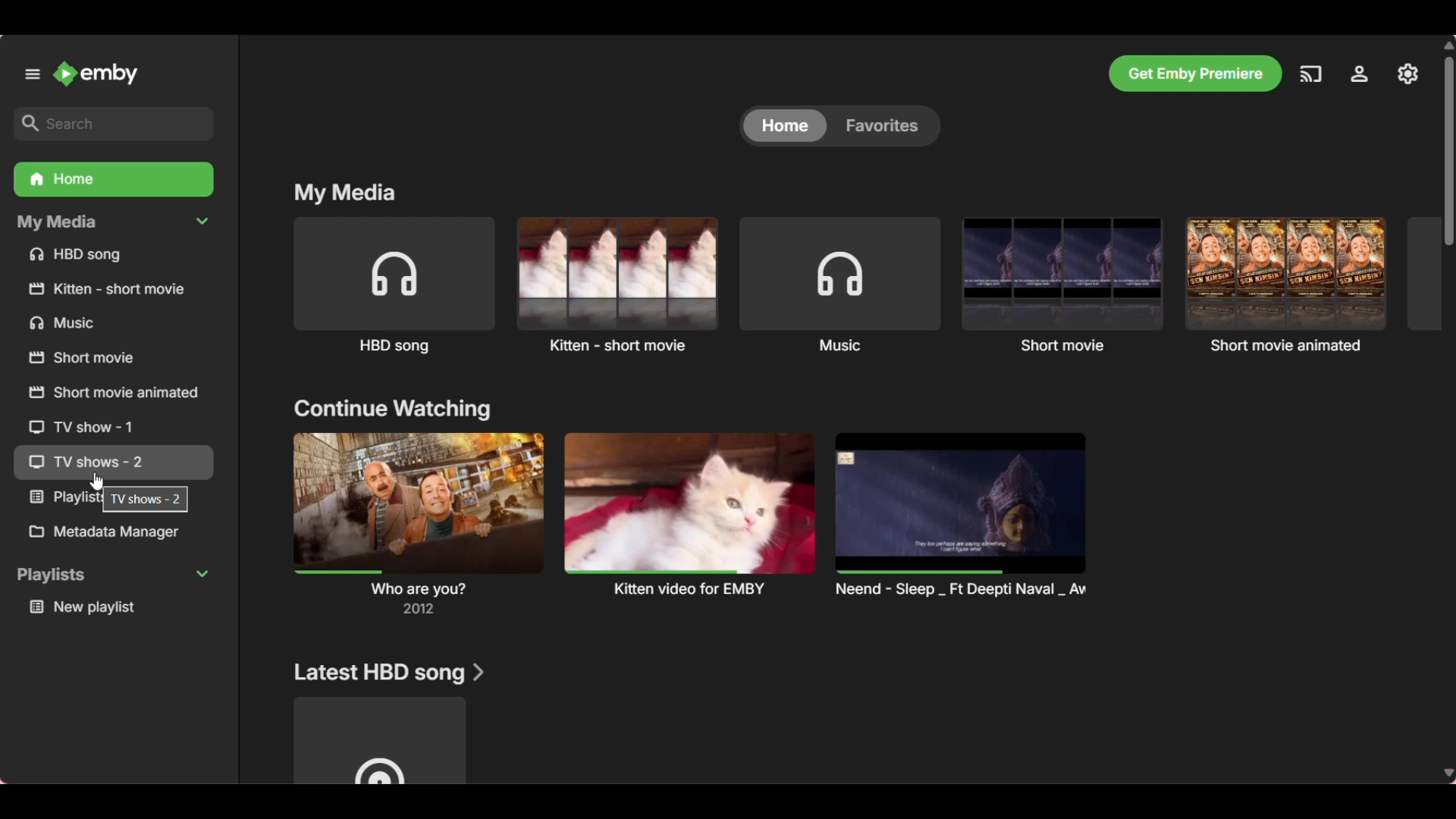 The height and width of the screenshot is (819, 1456). Describe the element at coordinates (93, 362) in the screenshot. I see `` at that location.